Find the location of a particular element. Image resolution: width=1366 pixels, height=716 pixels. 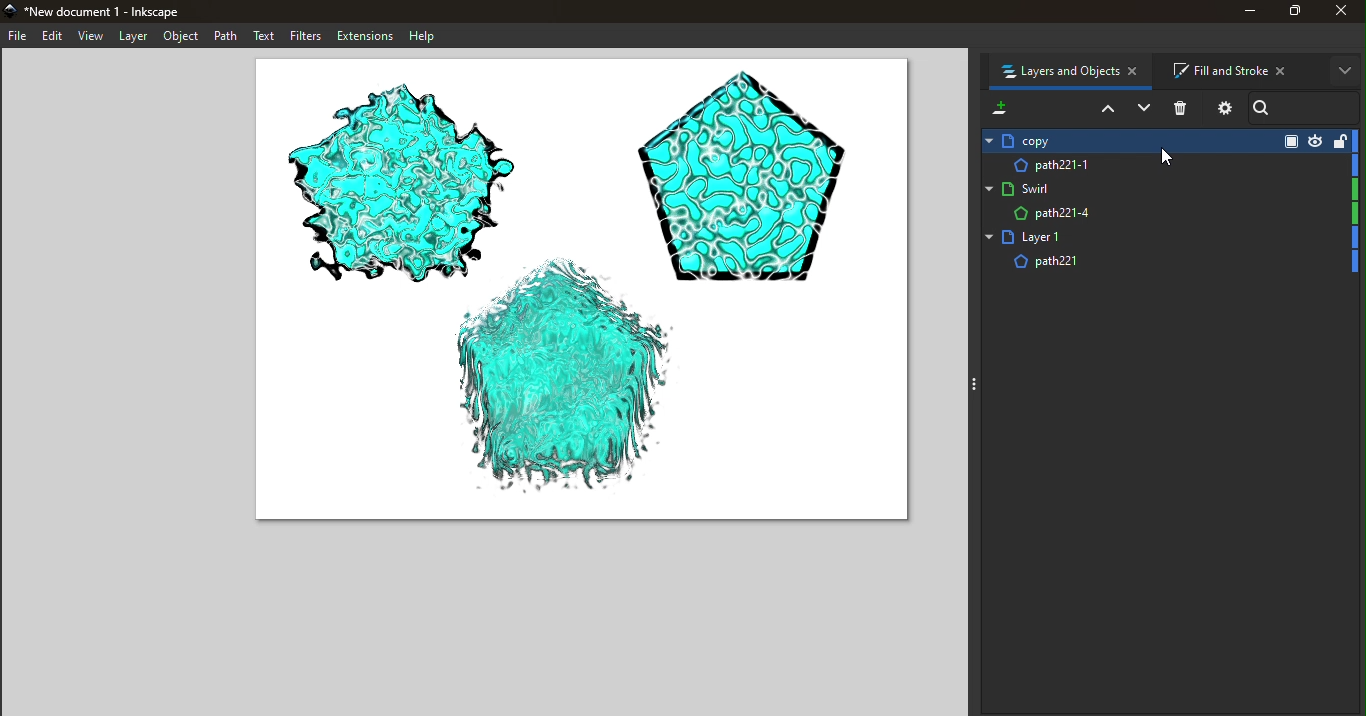

copy is located at coordinates (1123, 140).